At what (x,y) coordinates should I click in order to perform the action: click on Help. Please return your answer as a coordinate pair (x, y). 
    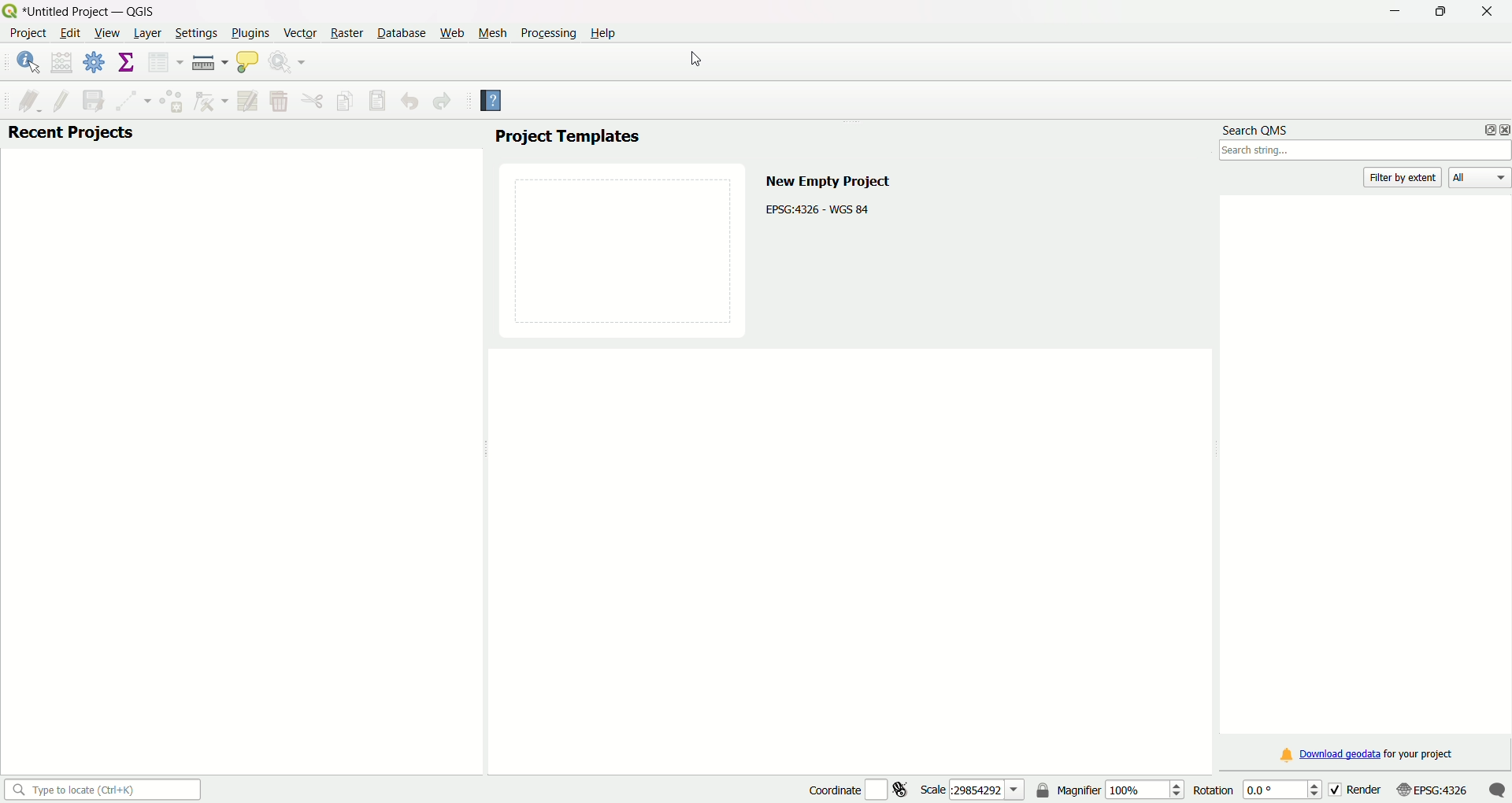
    Looking at the image, I should click on (606, 31).